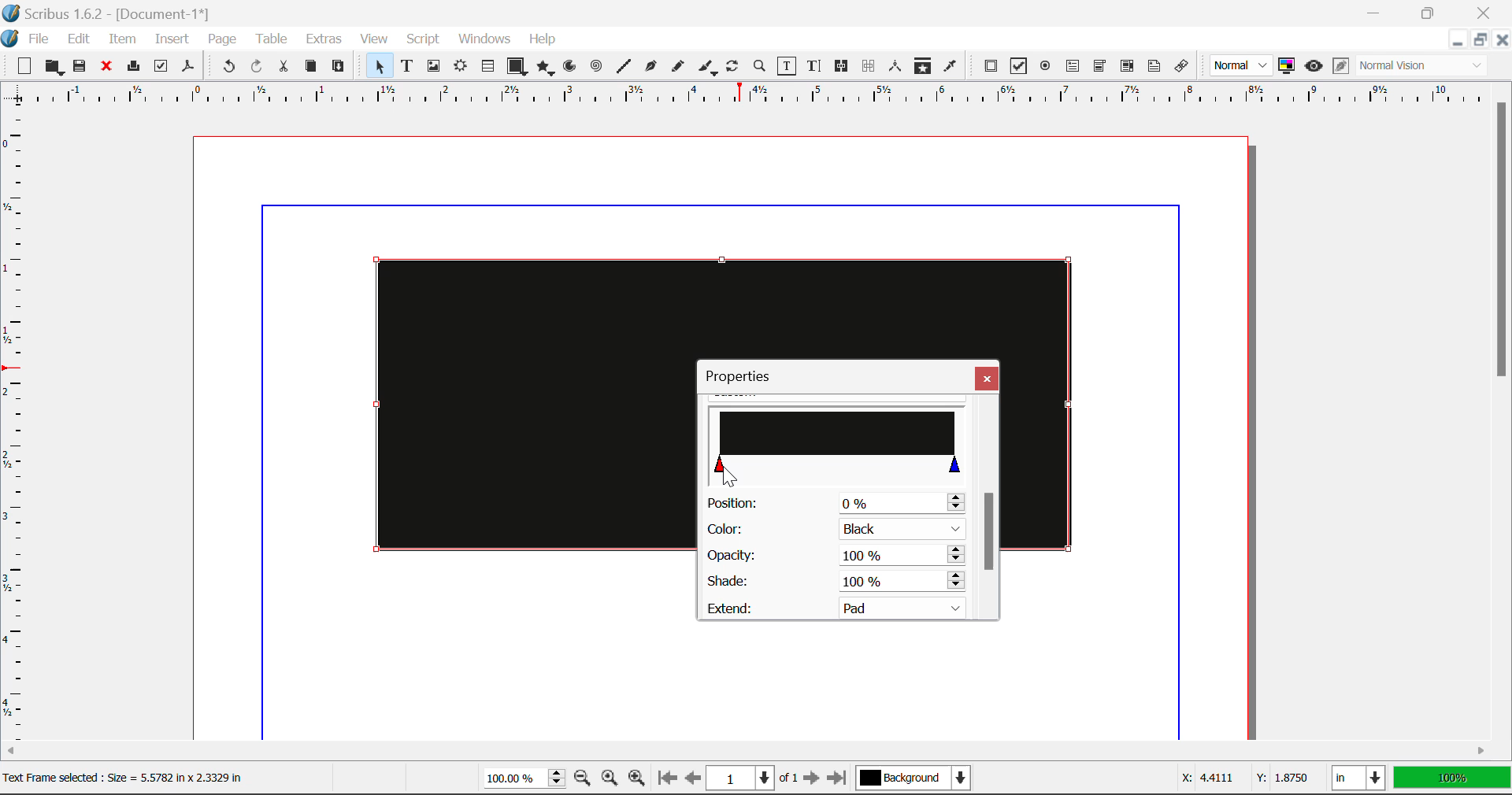 The image size is (1512, 795). What do you see at coordinates (1185, 67) in the screenshot?
I see `Link Annotation` at bounding box center [1185, 67].